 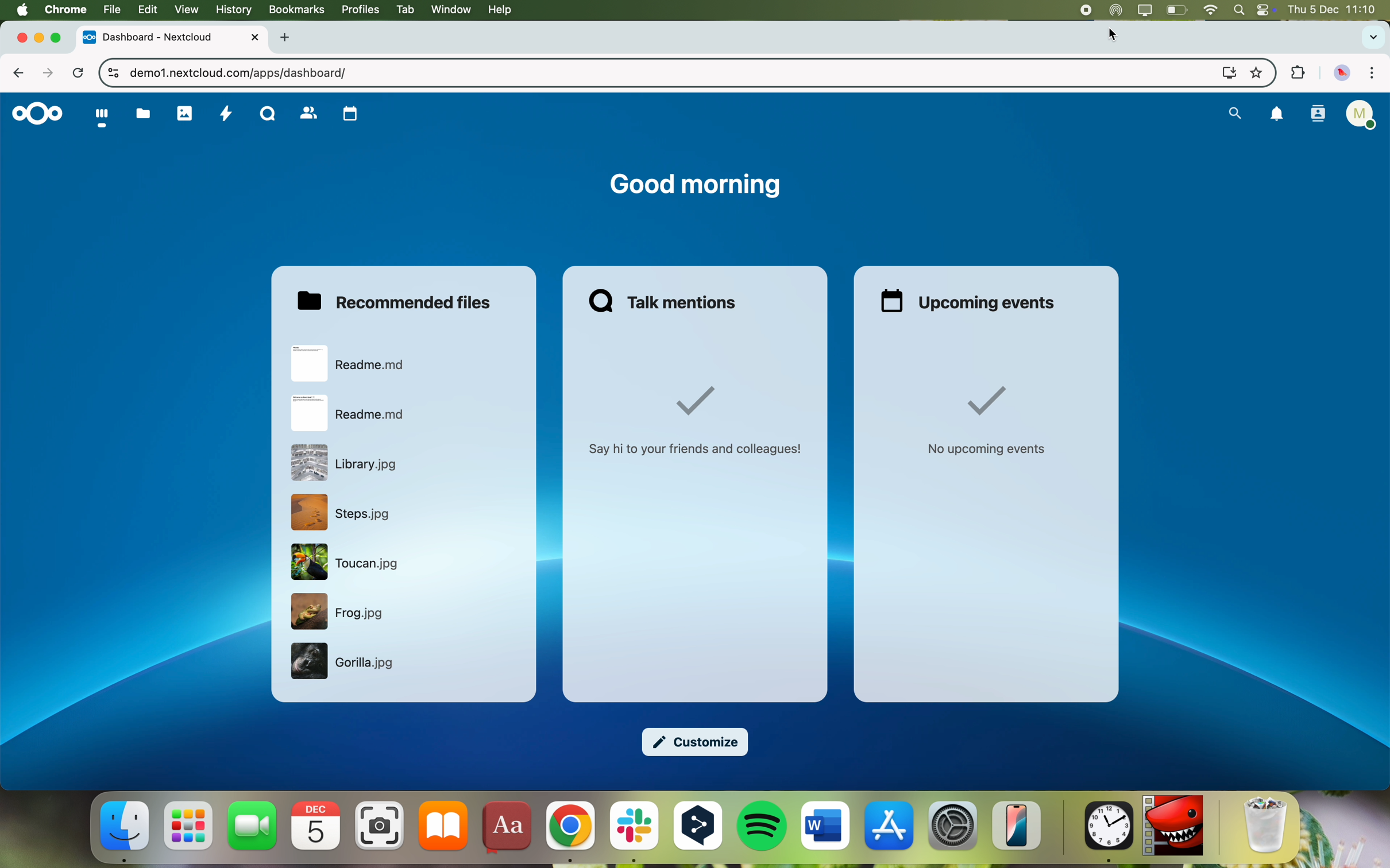 I want to click on Trash, so click(x=1267, y=827).